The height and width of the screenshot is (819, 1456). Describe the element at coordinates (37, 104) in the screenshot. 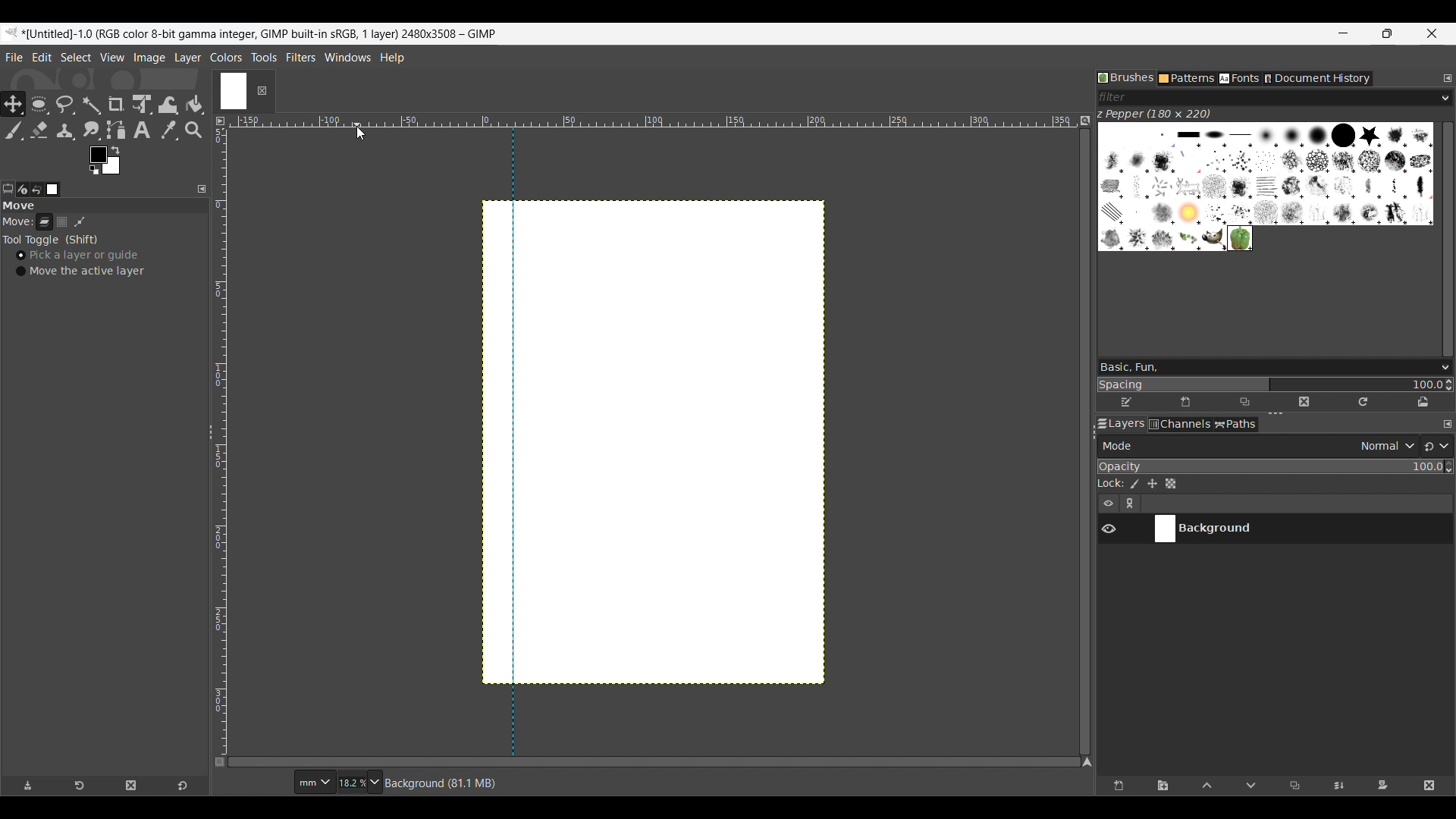

I see `Ellipse select tool` at that location.